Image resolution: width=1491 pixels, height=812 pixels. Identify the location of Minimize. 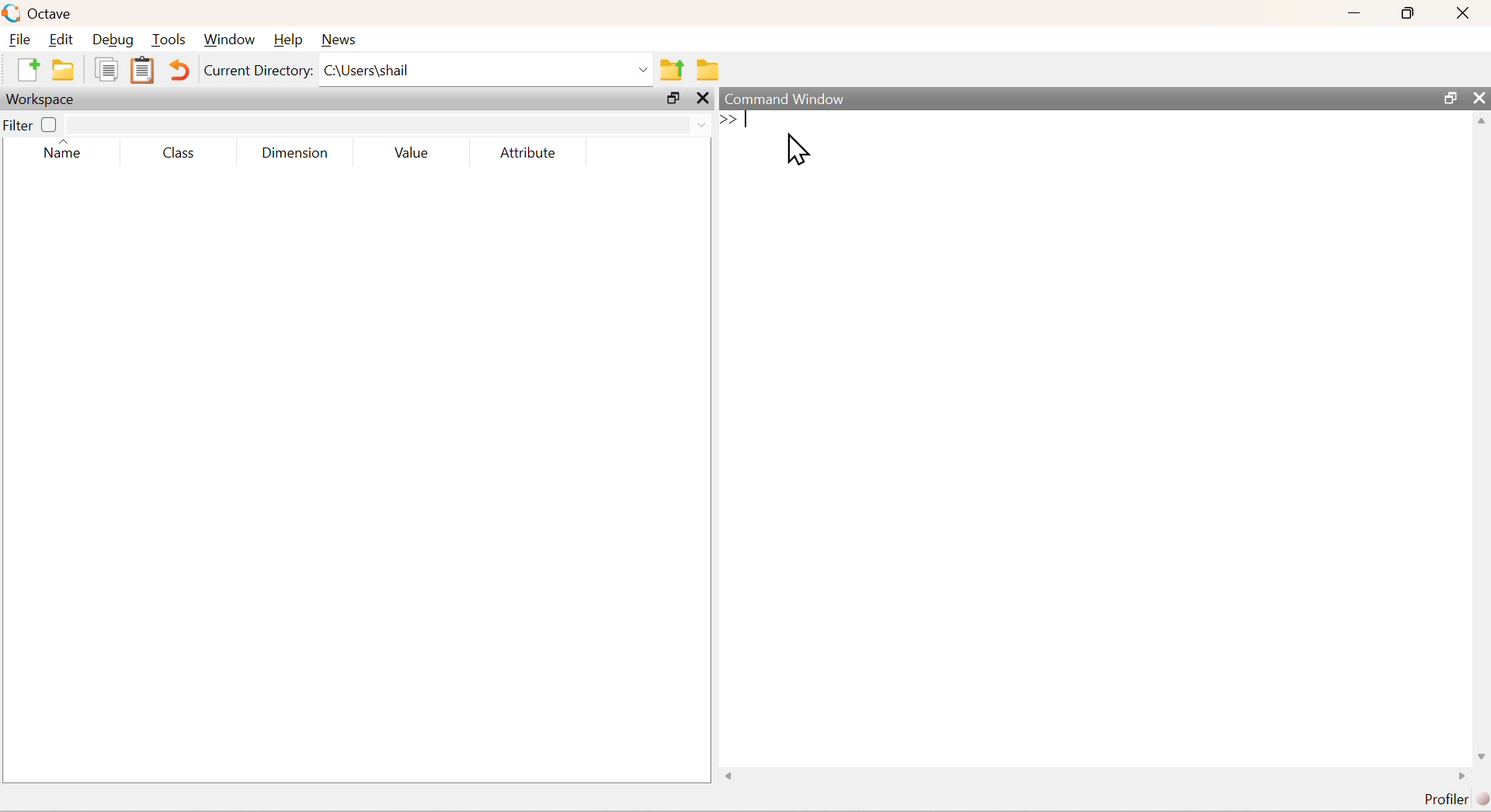
(1361, 12).